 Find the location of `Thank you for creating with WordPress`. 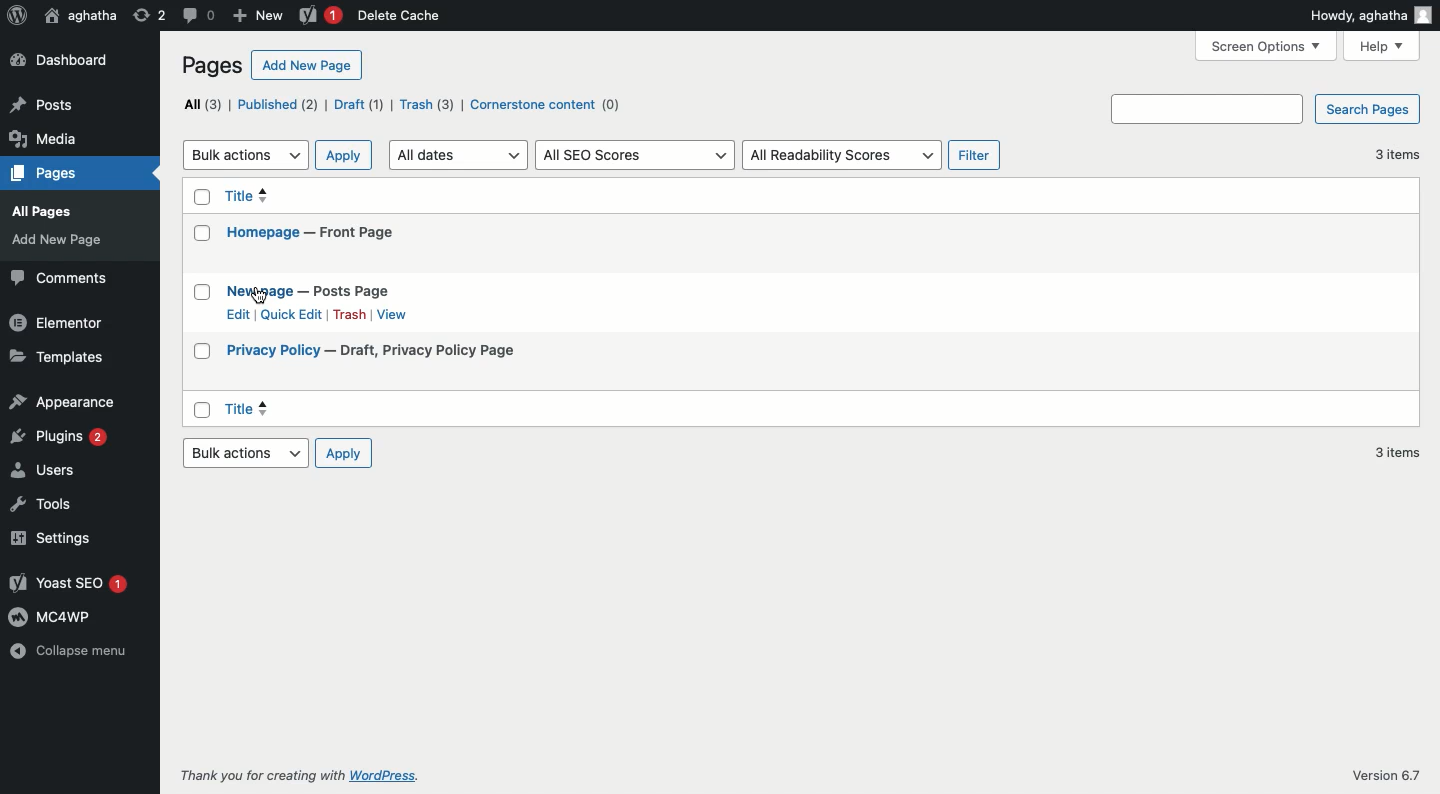

Thank you for creating with WordPress is located at coordinates (297, 776).